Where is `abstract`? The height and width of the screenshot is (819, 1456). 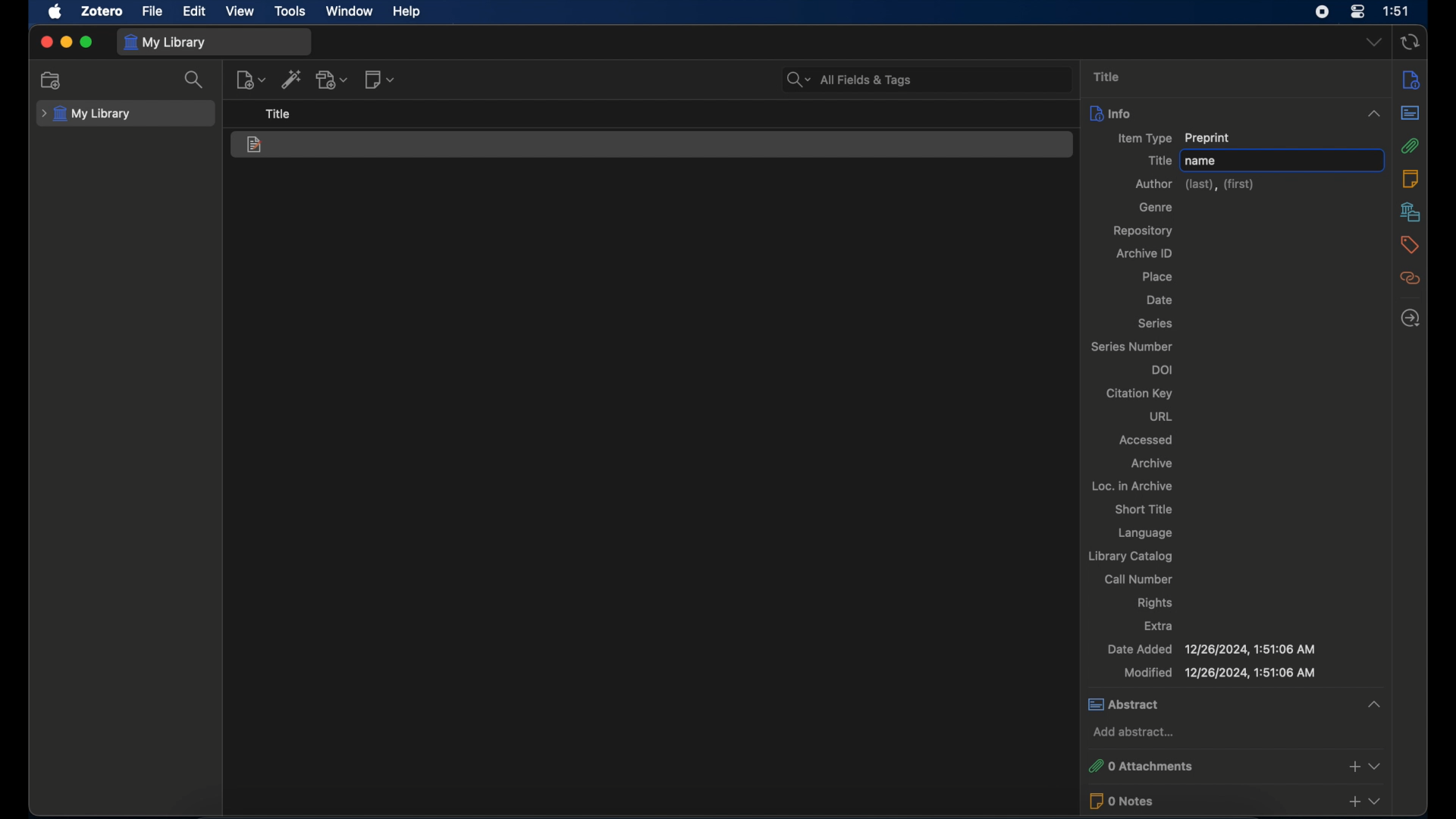 abstract is located at coordinates (1410, 112).